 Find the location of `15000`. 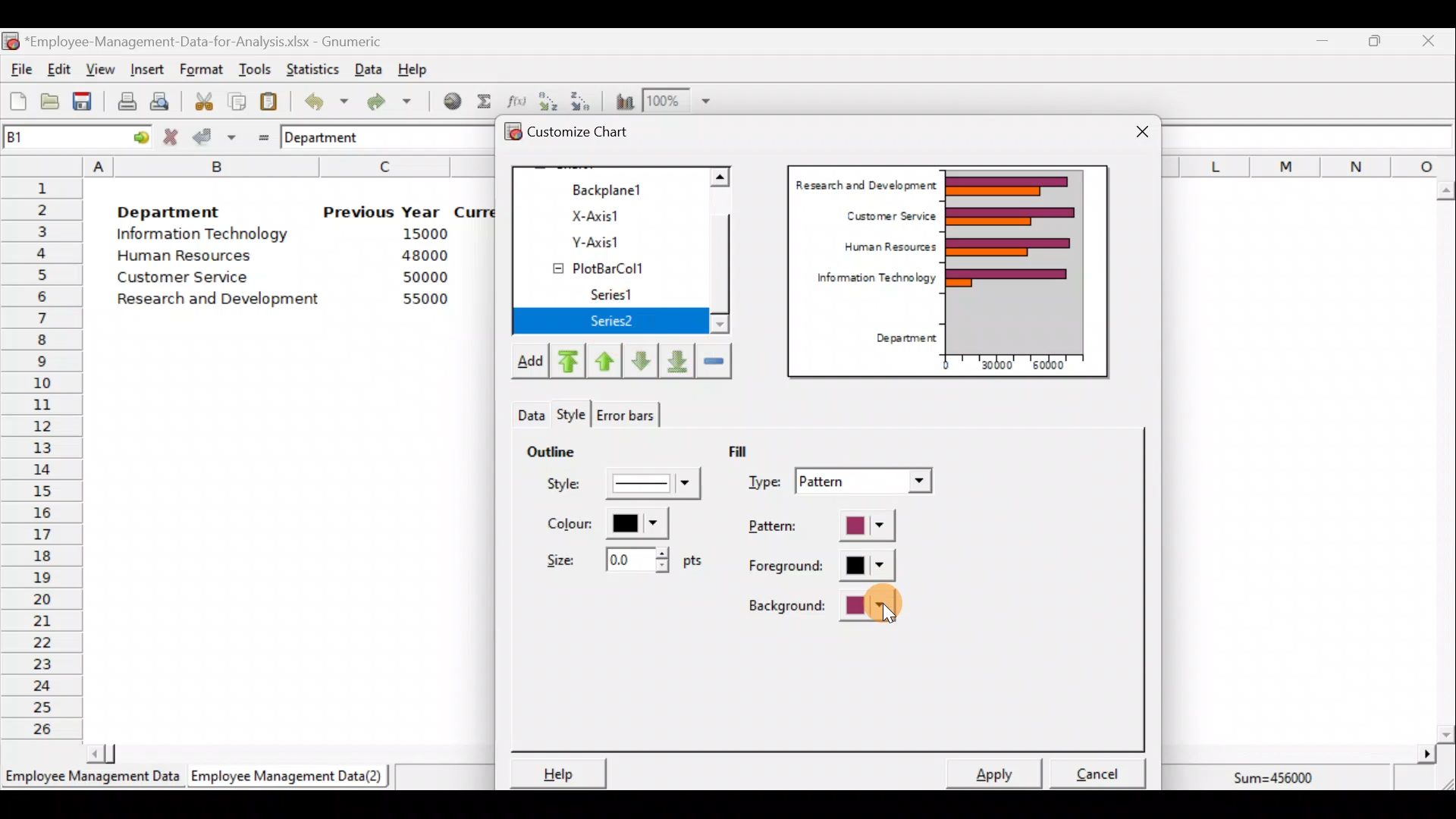

15000 is located at coordinates (419, 233).